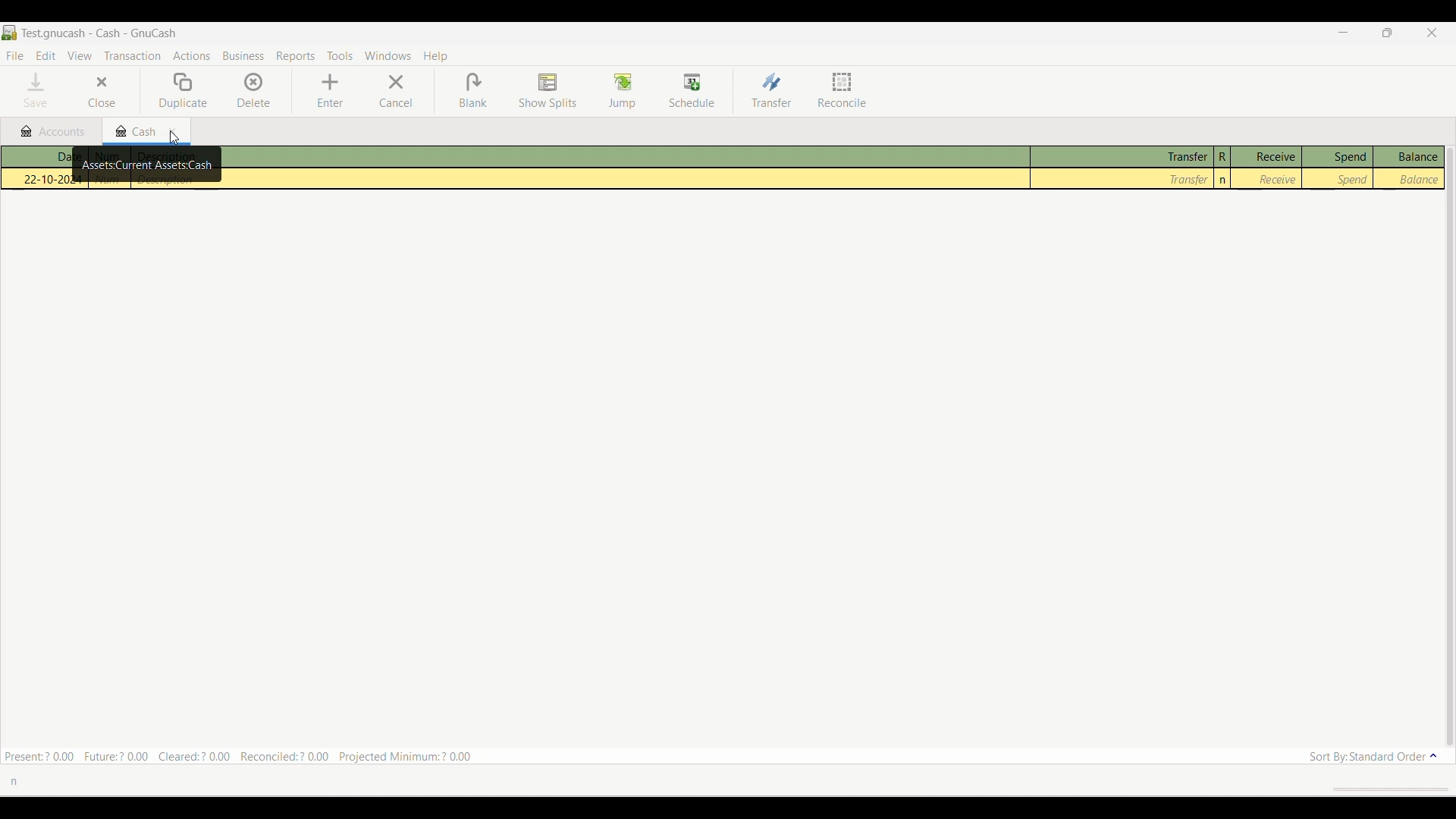 This screenshot has width=1456, height=819. Describe the element at coordinates (1431, 33) in the screenshot. I see `Close interface` at that location.